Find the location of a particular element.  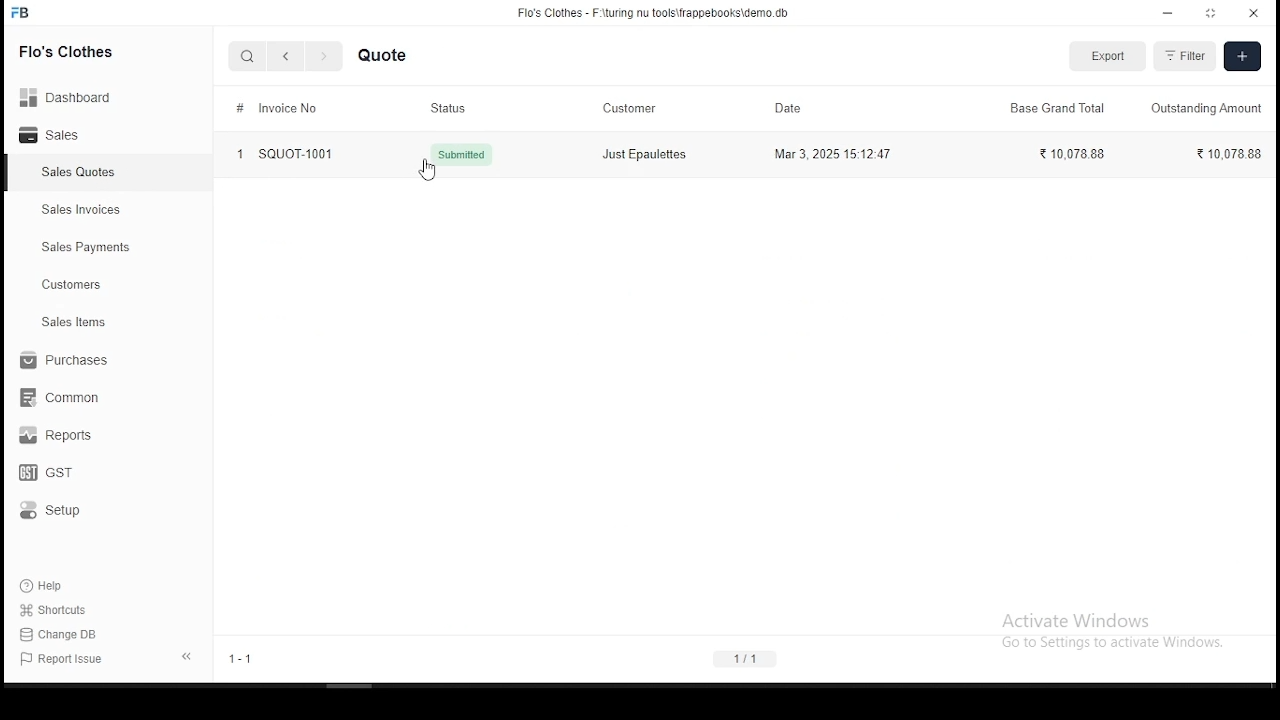

Activate Windows
Go to Settings to activate Windows. is located at coordinates (1110, 627).